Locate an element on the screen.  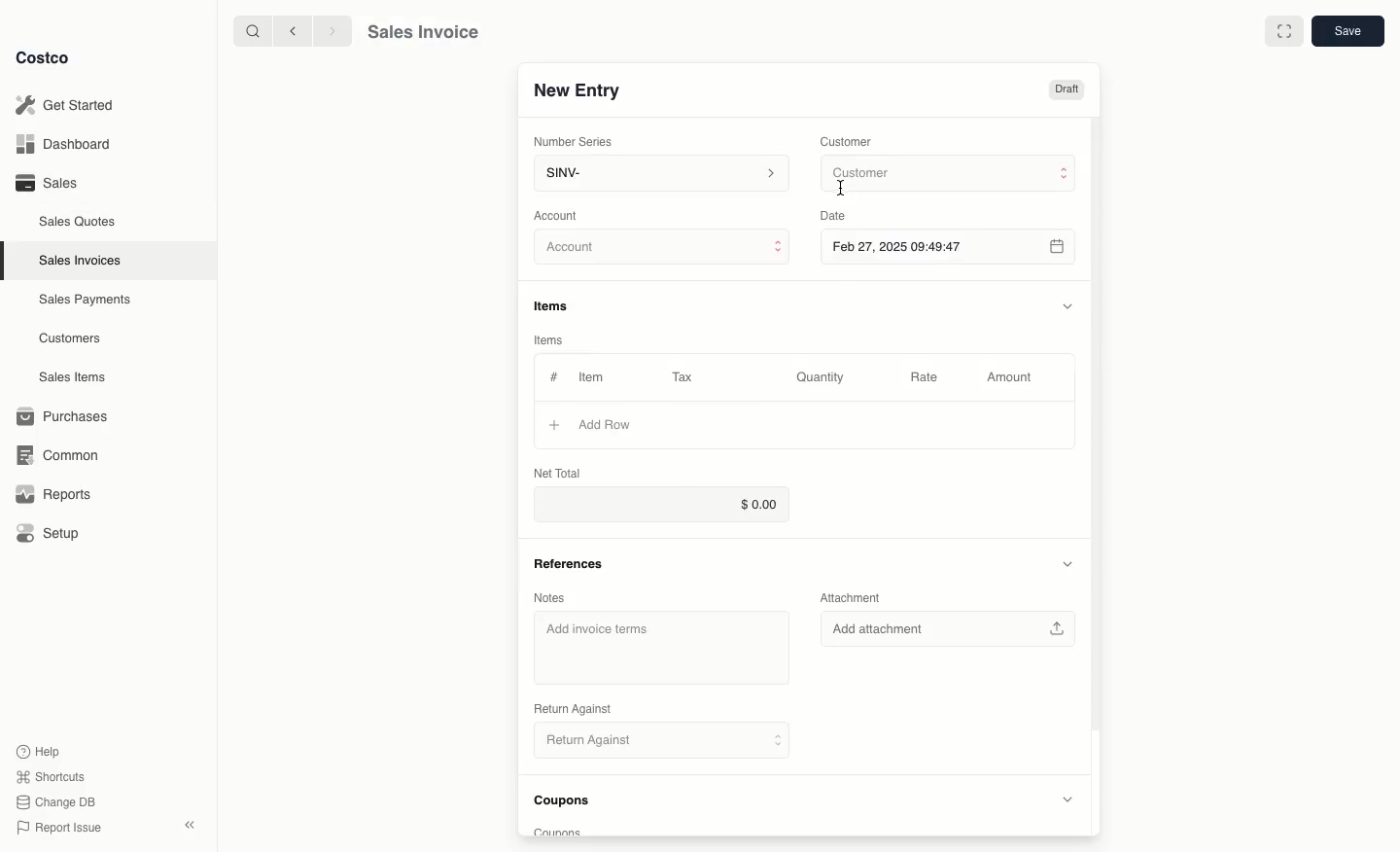
Notes is located at coordinates (549, 598).